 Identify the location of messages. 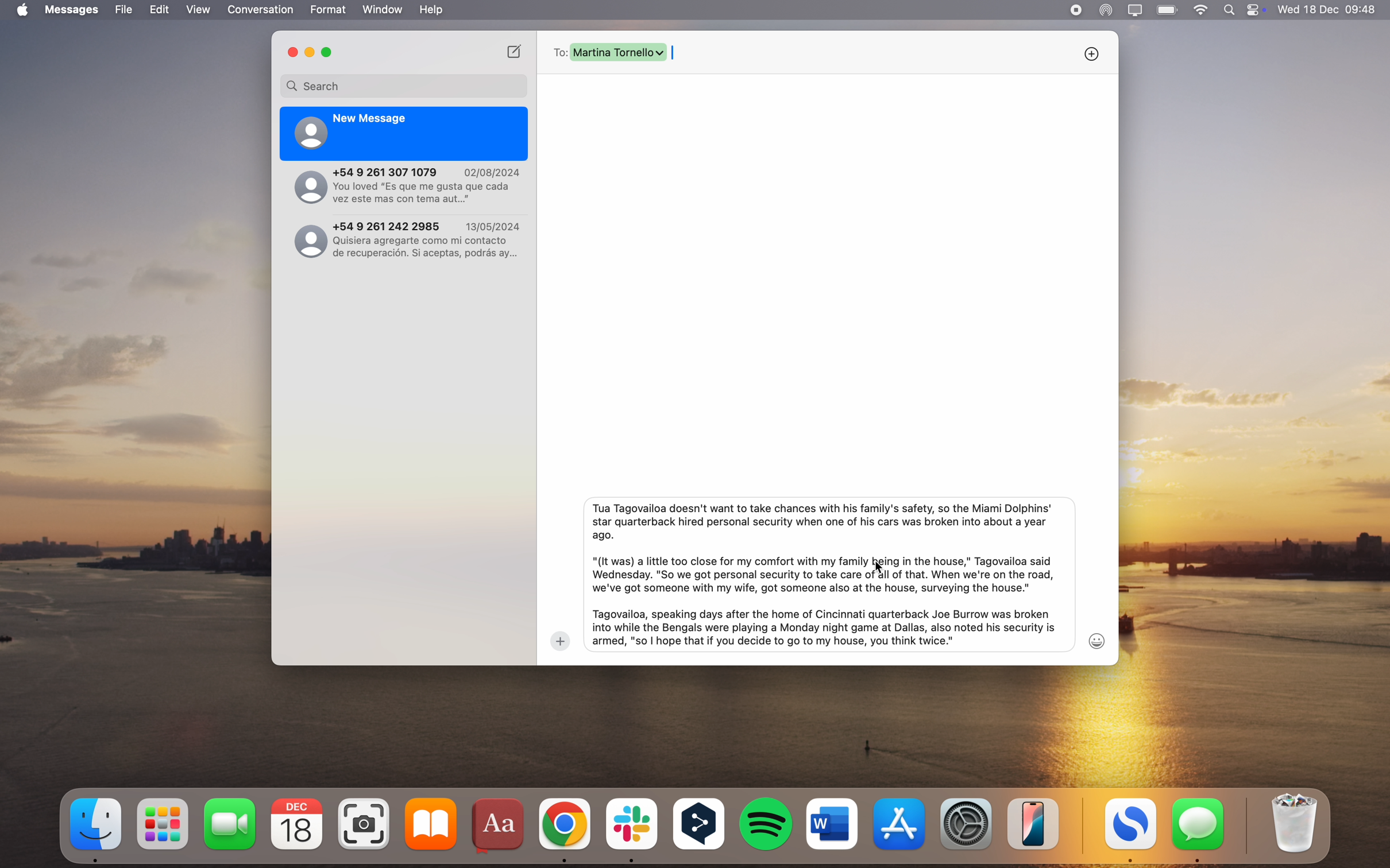
(74, 10).